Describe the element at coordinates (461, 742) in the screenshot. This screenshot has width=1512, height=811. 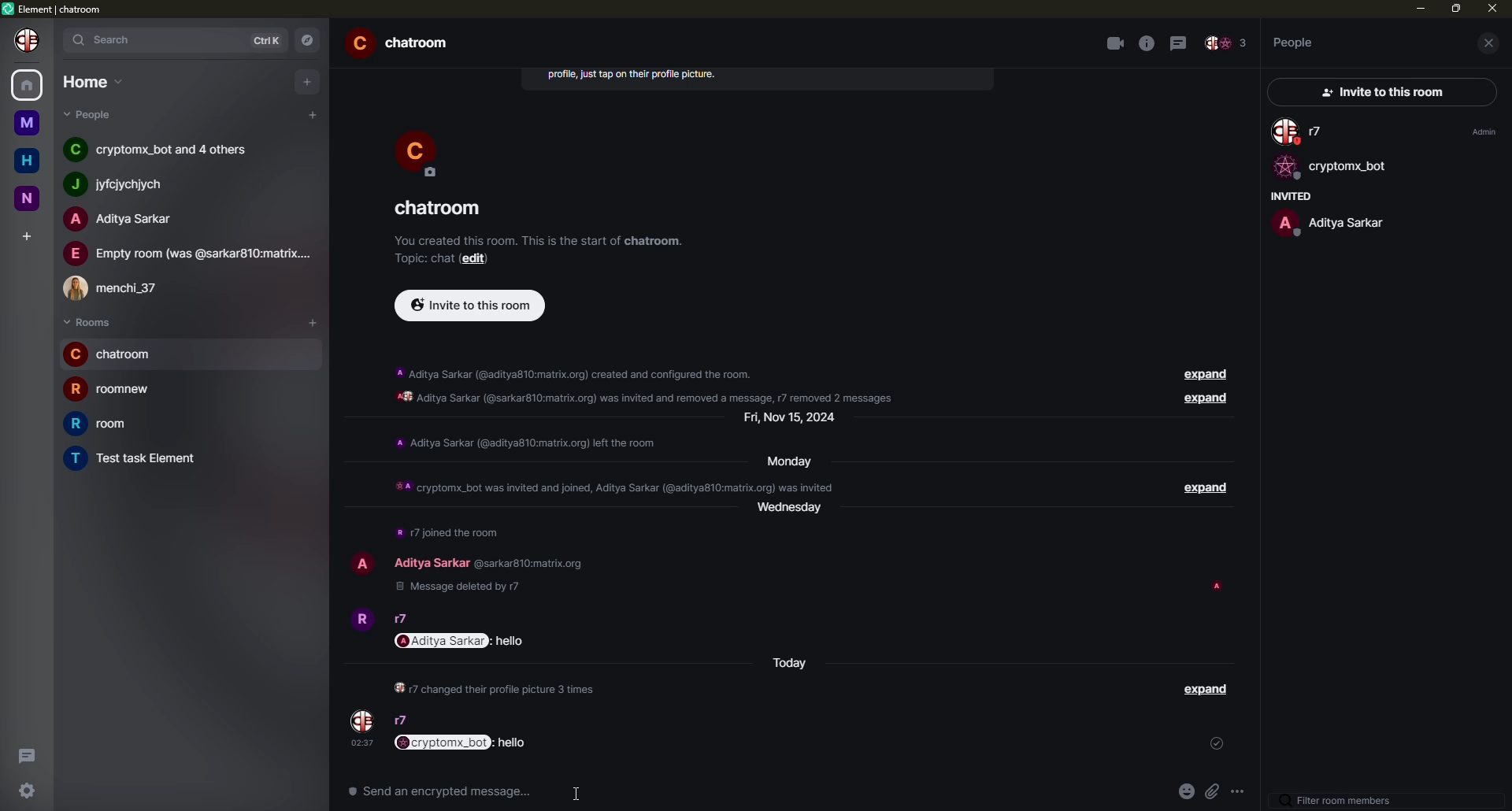
I see `mentioned` at that location.